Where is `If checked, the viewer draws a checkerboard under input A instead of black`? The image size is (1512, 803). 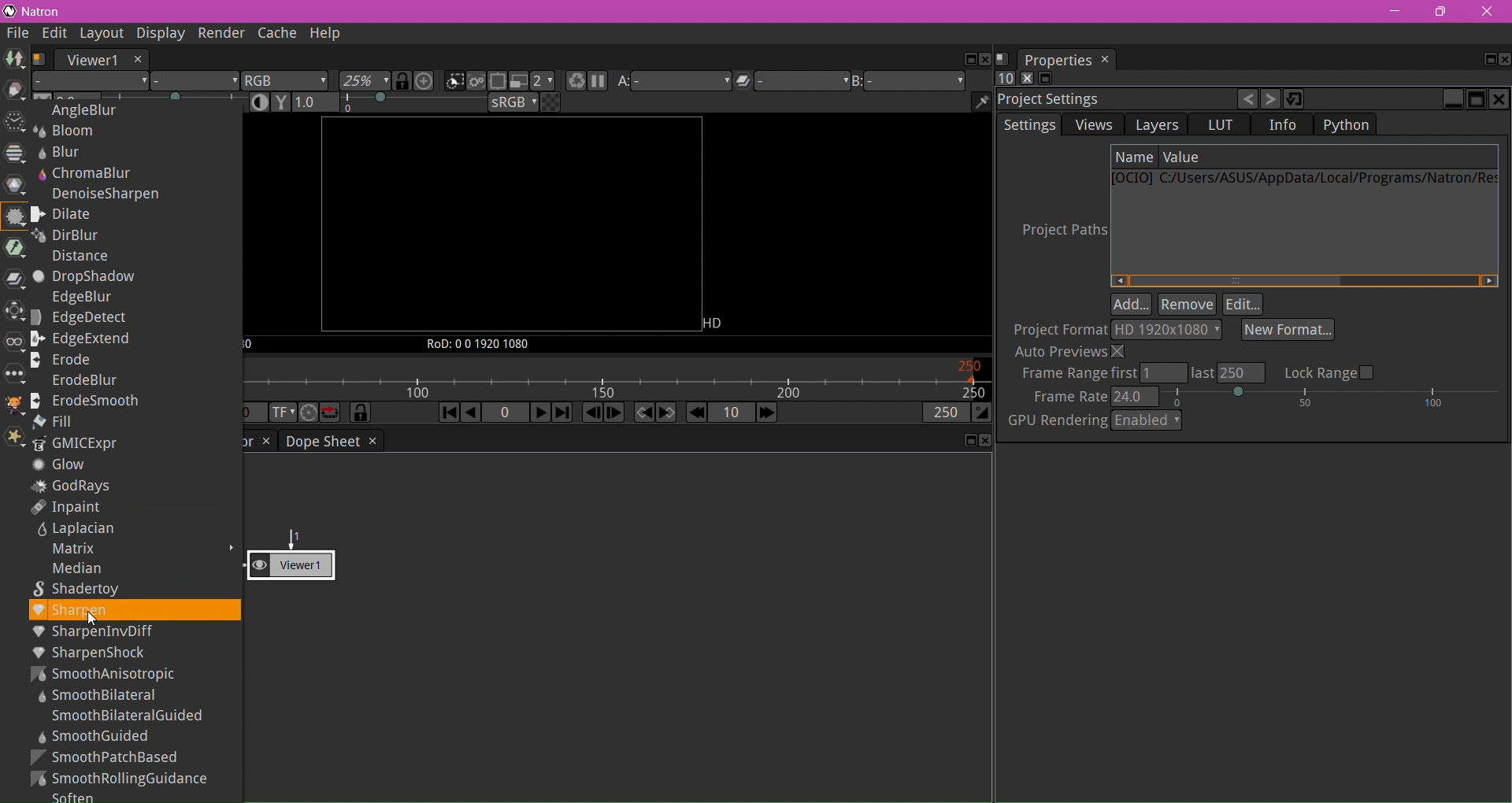 If checked, the viewer draws a checkerboard under input A instead of black is located at coordinates (550, 102).